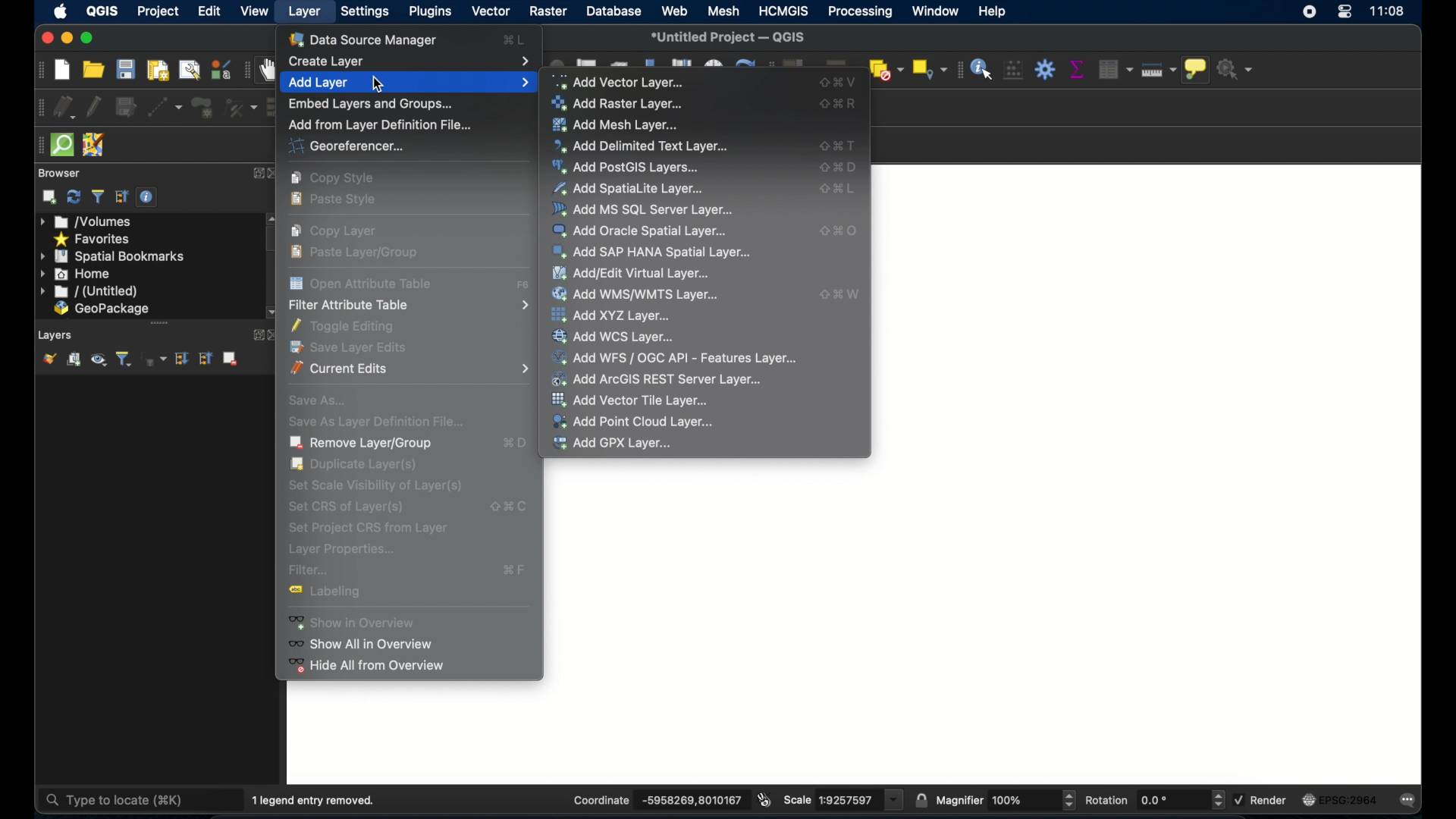 This screenshot has width=1456, height=819. I want to click on open attribute table, so click(1112, 67).